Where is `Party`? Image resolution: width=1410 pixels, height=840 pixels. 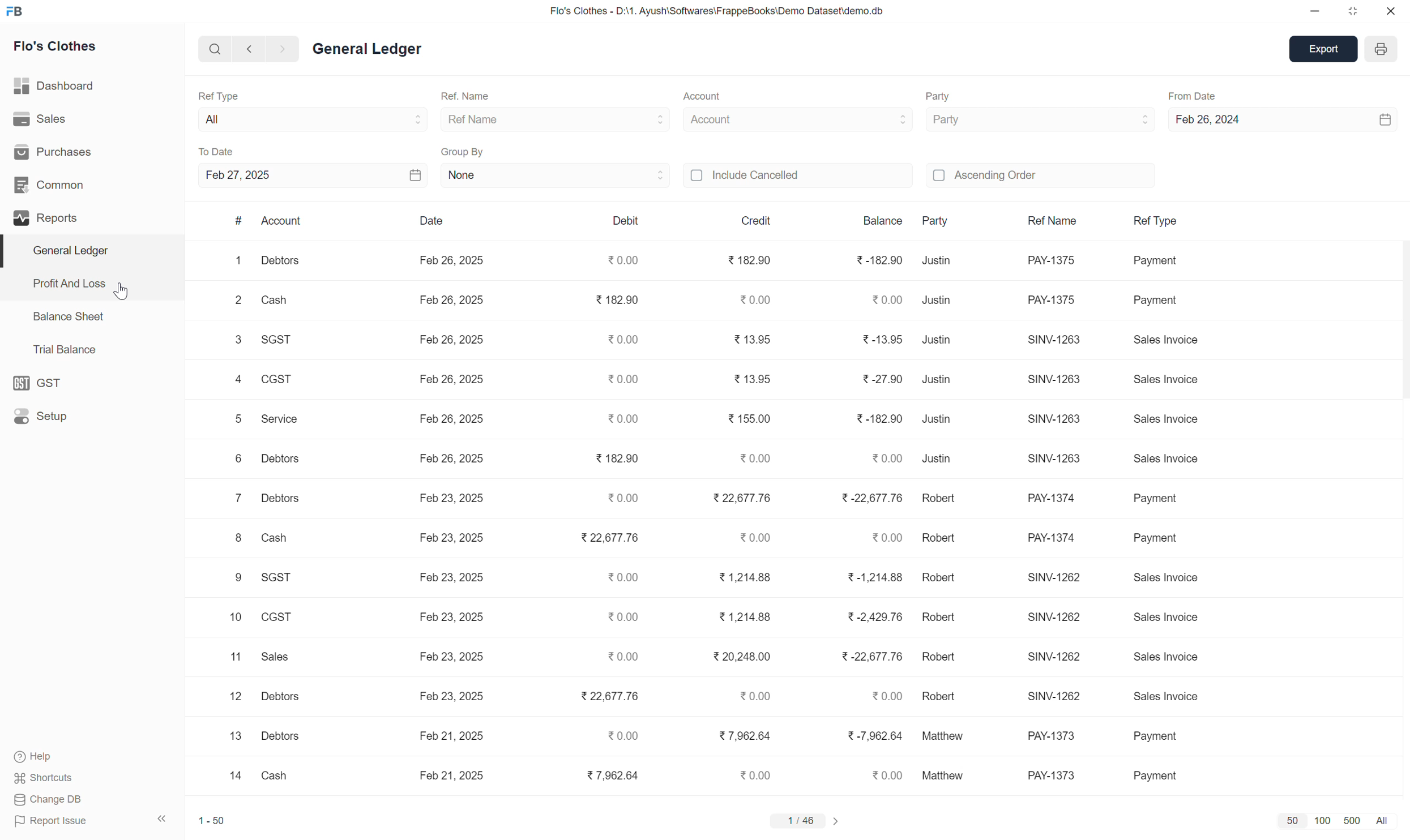
Party is located at coordinates (945, 96).